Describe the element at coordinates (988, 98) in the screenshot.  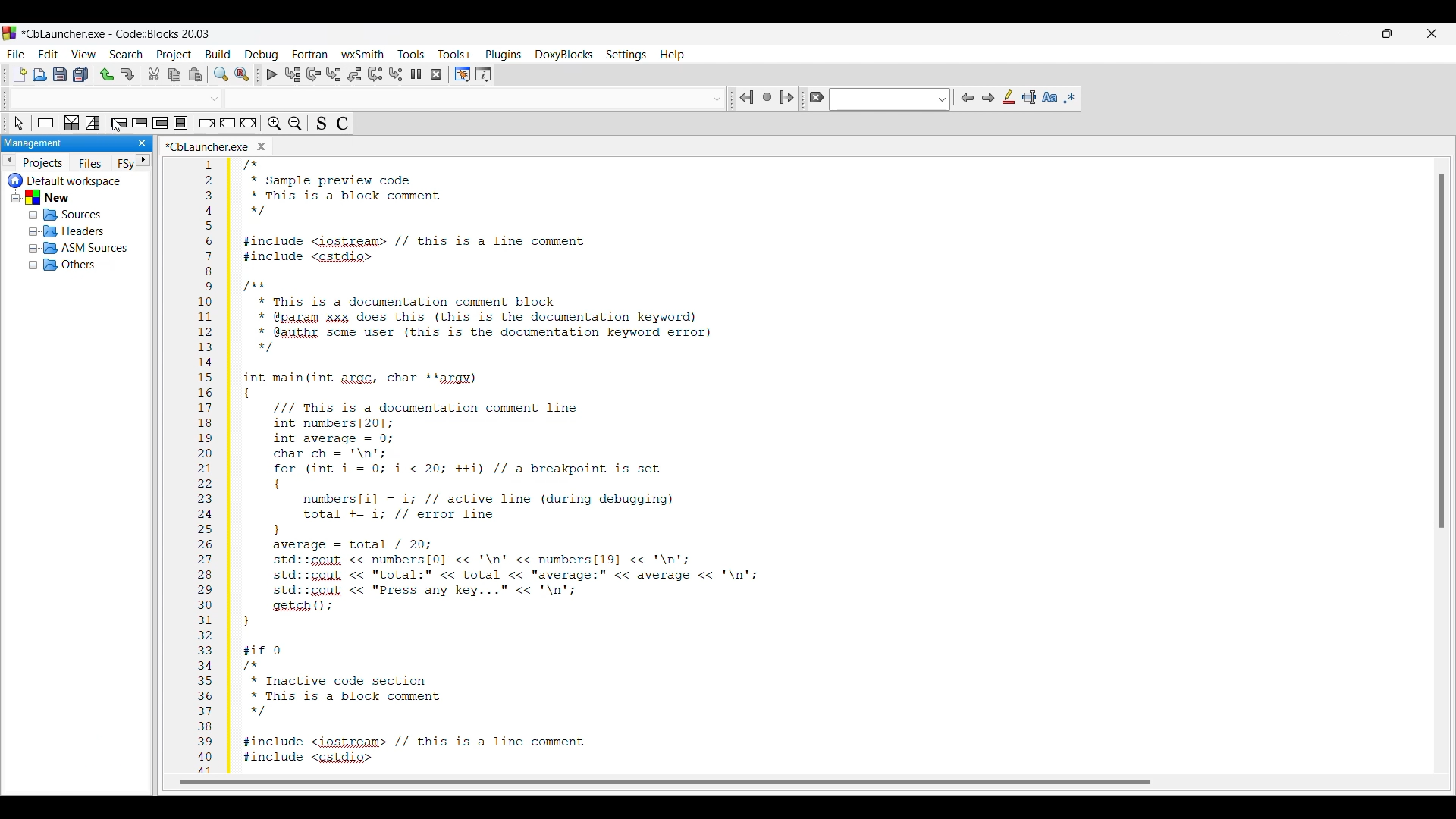
I see `Next` at that location.